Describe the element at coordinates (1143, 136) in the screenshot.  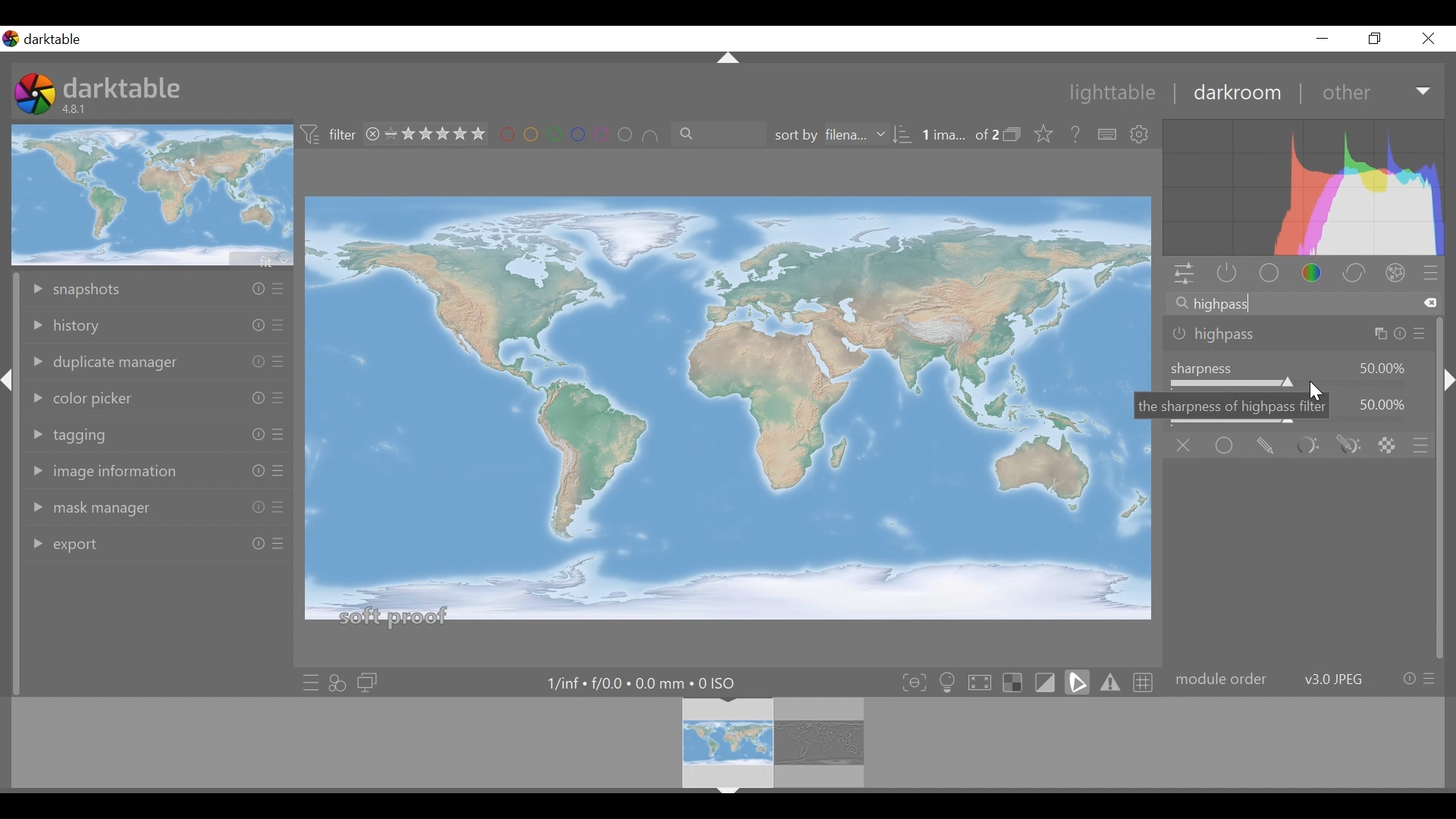
I see `show global preferences` at that location.